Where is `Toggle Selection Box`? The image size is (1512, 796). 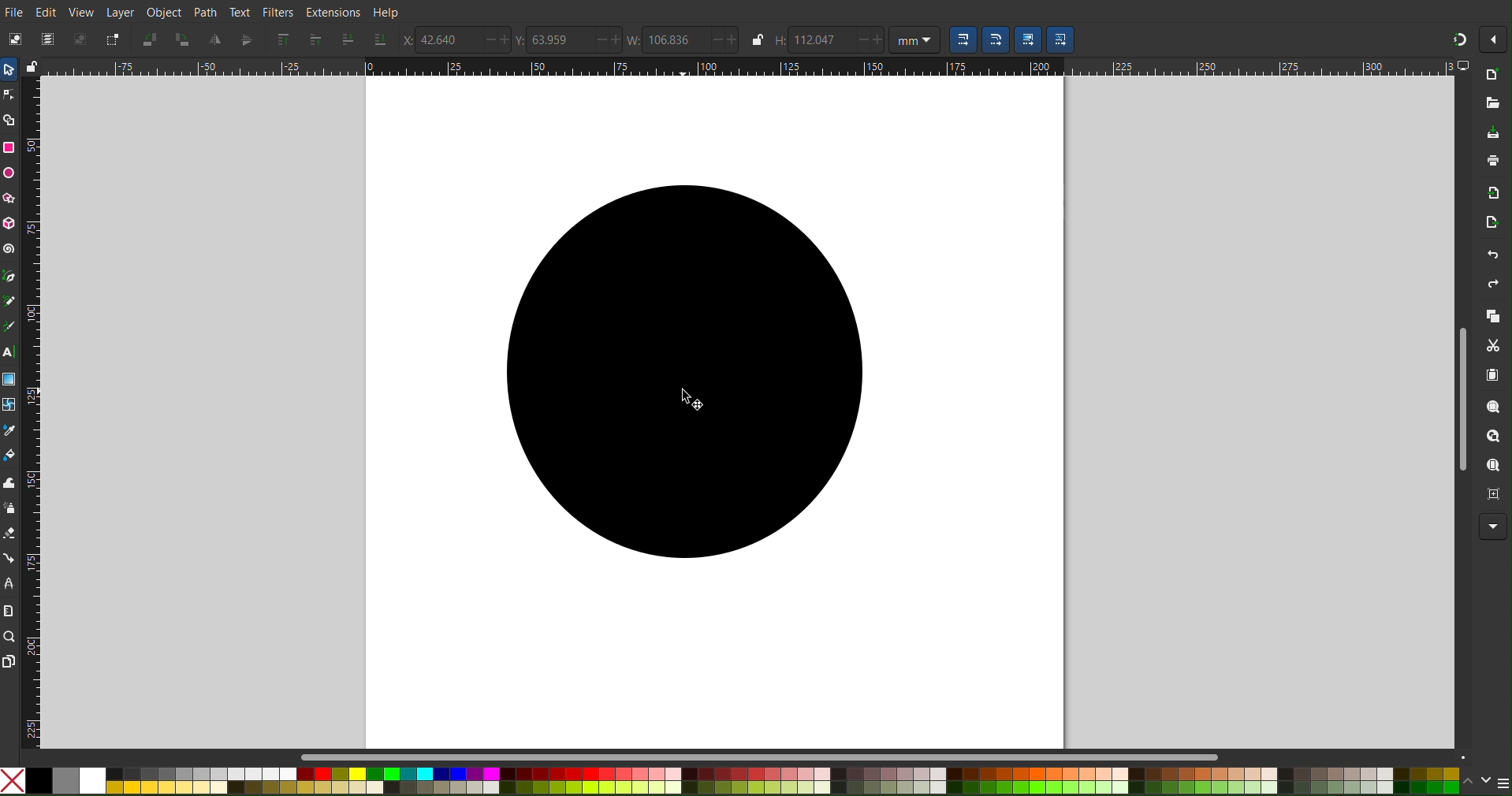 Toggle Selection Box is located at coordinates (113, 38).